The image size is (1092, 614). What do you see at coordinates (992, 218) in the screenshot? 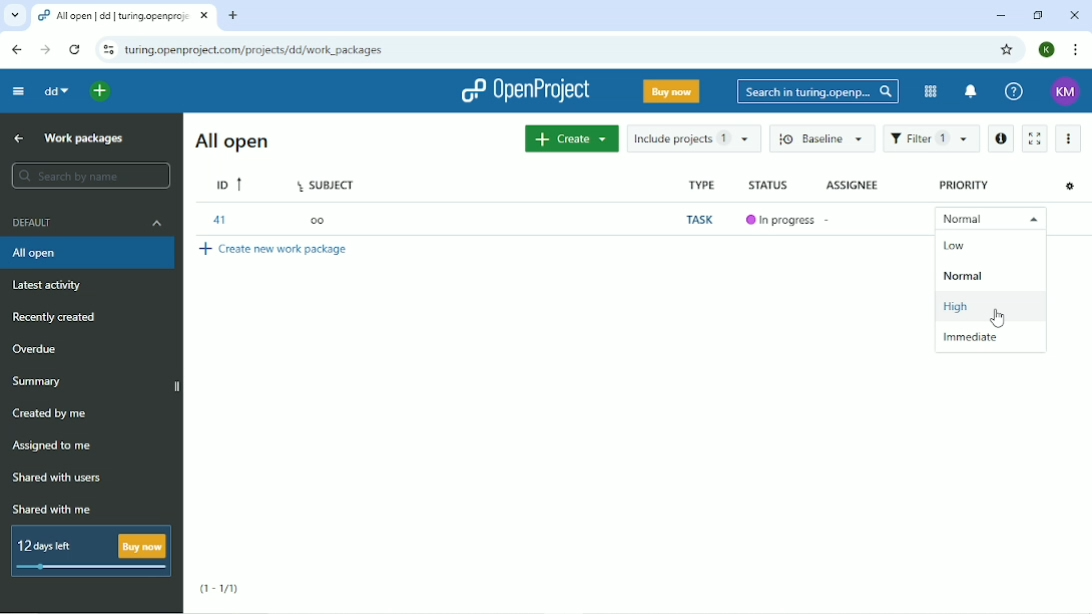
I see `Normal` at bounding box center [992, 218].